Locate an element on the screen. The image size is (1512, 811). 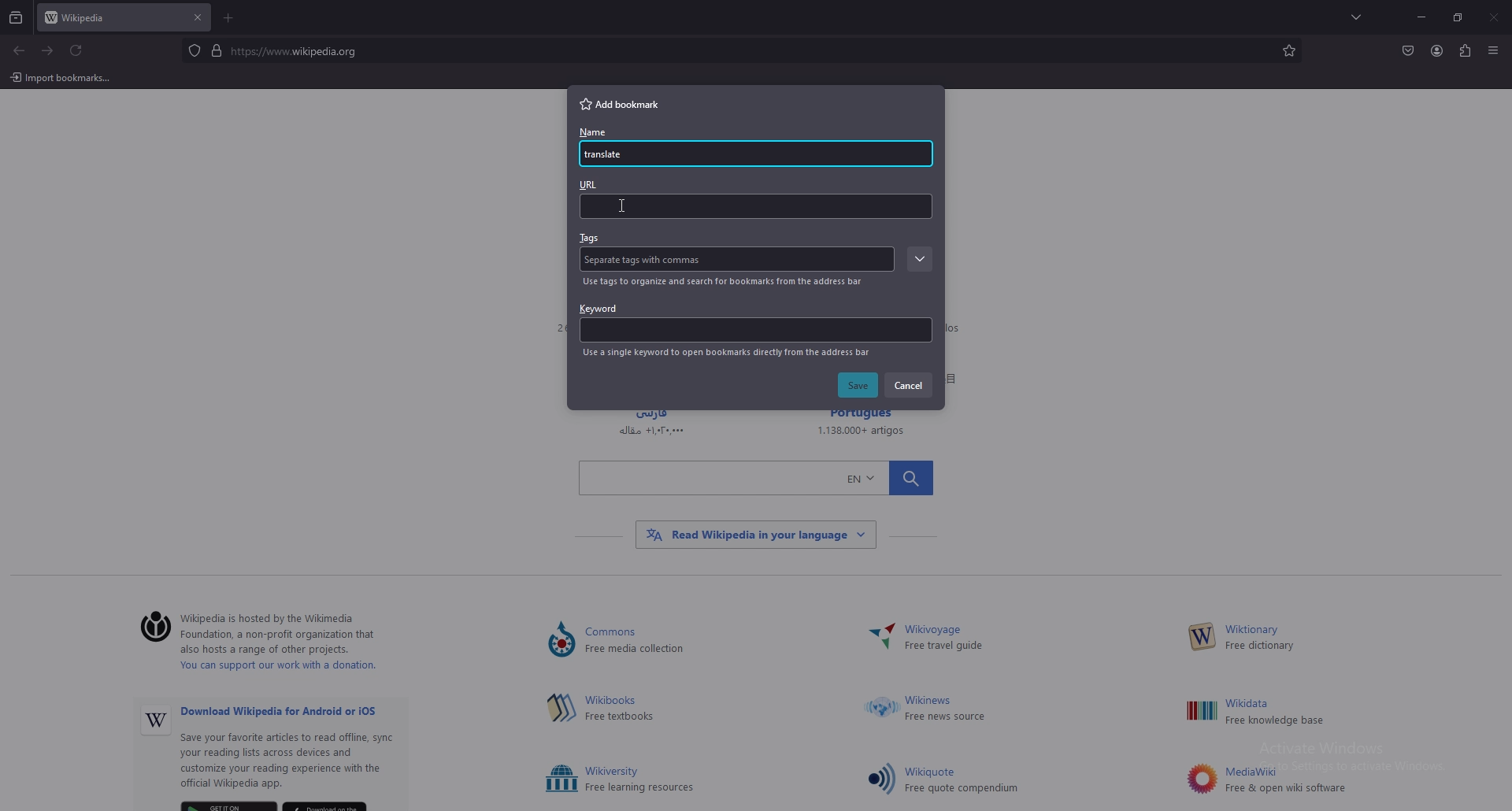
 is located at coordinates (947, 709).